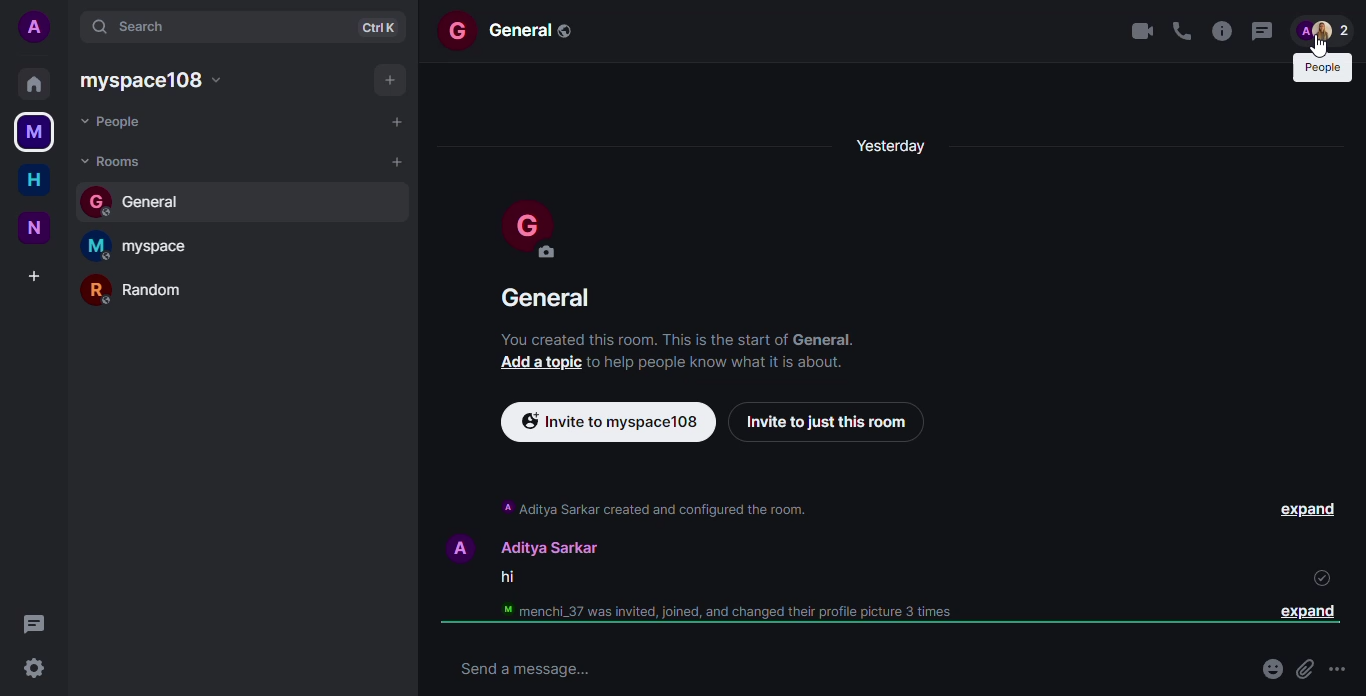  I want to click on add, so click(397, 121).